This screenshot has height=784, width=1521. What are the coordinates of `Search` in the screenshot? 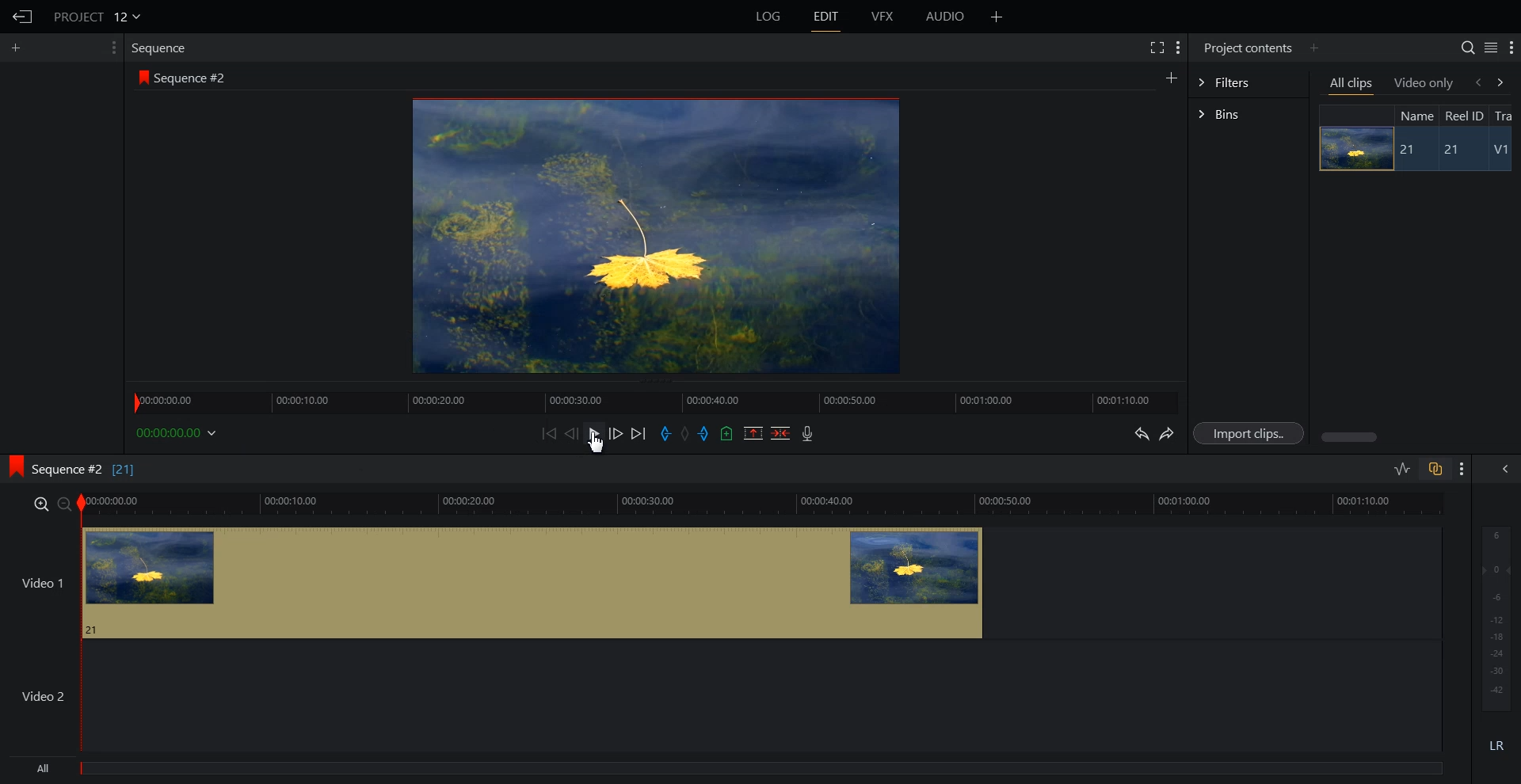 It's located at (1467, 48).